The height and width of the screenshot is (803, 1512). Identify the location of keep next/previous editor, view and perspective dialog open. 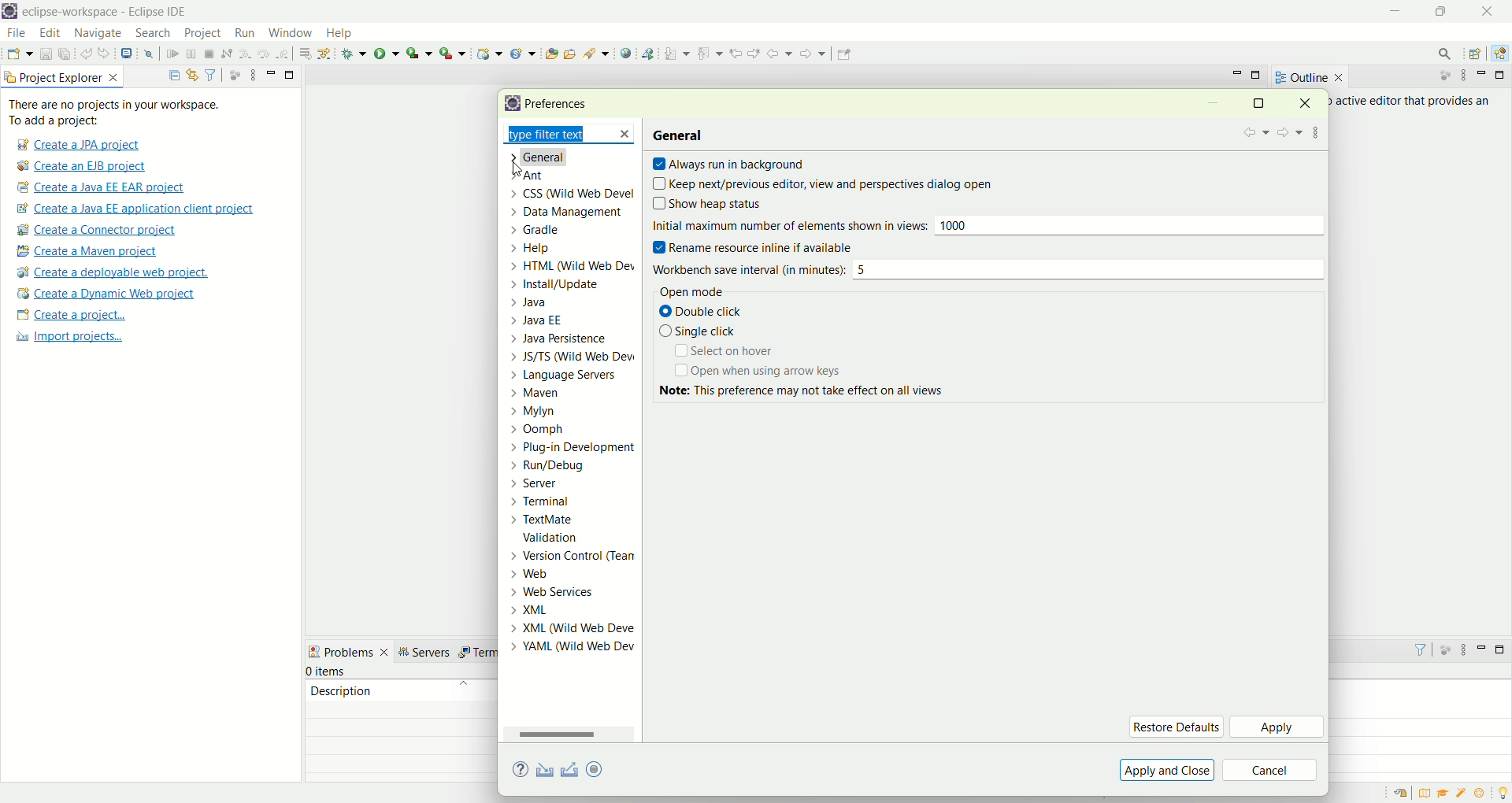
(823, 185).